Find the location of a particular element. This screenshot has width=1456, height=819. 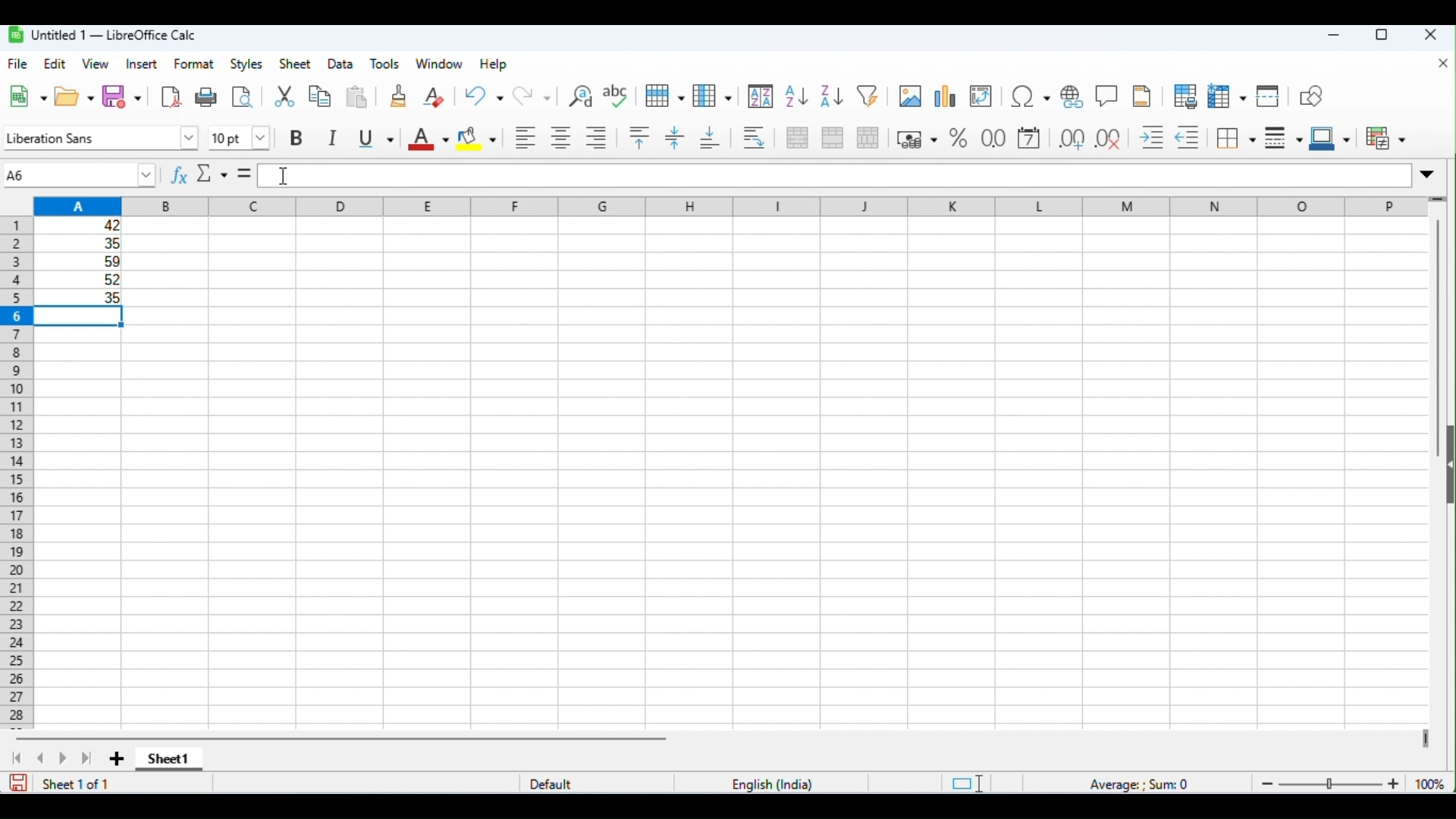

insert hyperlink is located at coordinates (1072, 96).